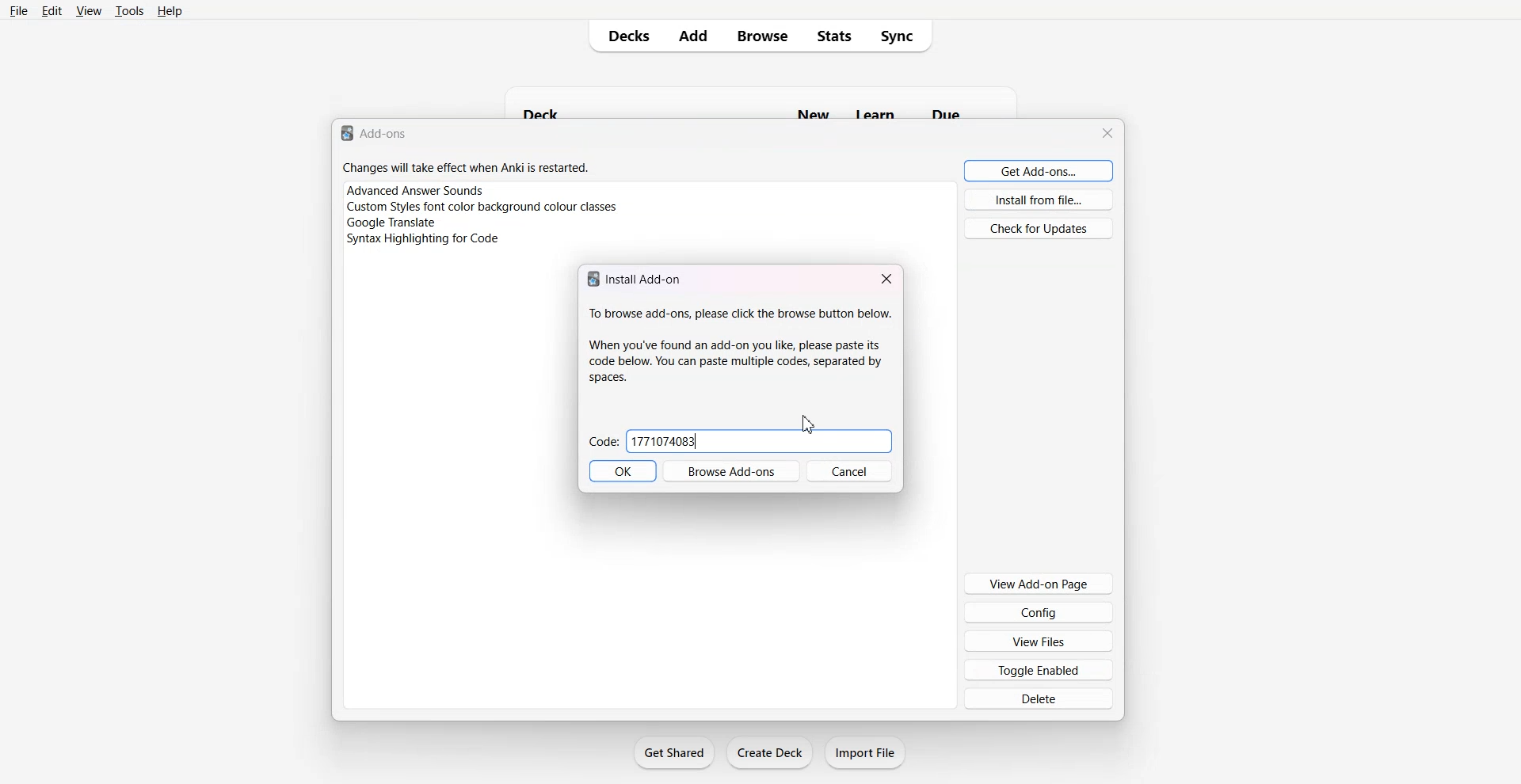 The height and width of the screenshot is (784, 1521). I want to click on Add, so click(694, 36).